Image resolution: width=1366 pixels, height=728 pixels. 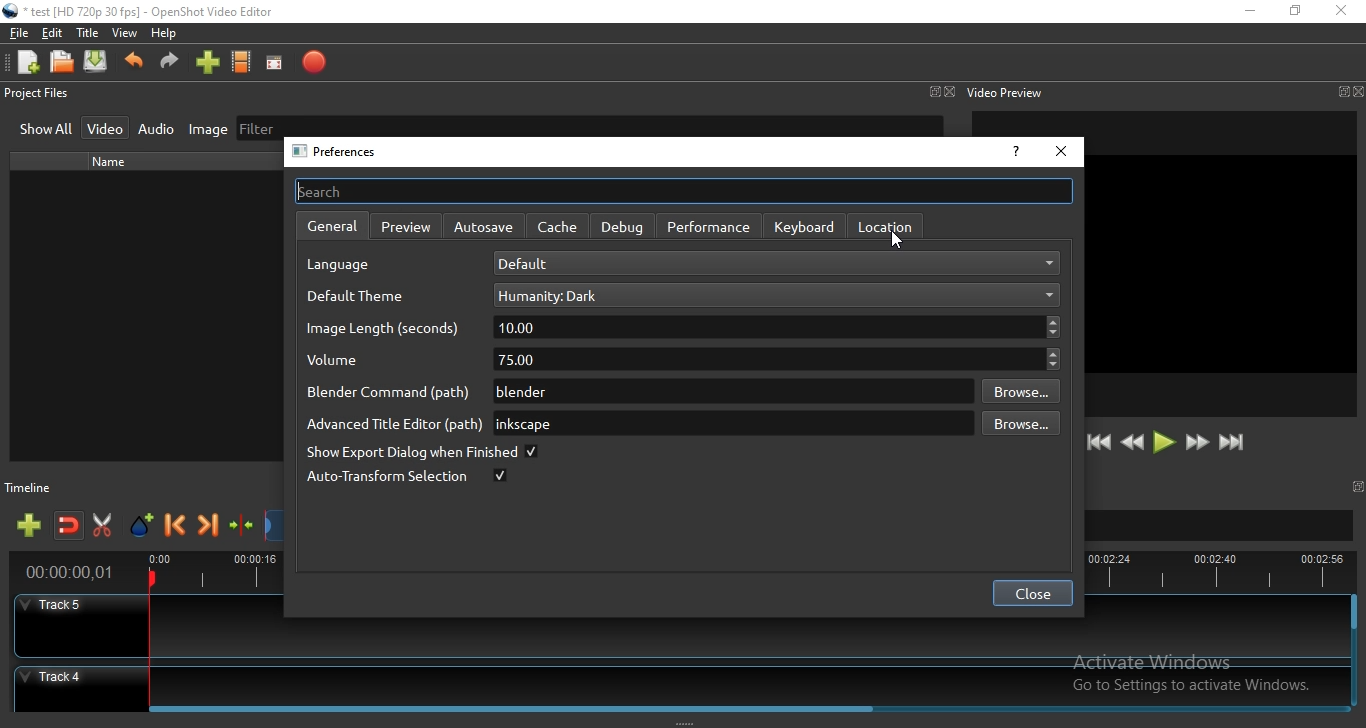 What do you see at coordinates (1360, 486) in the screenshot?
I see `window` at bounding box center [1360, 486].